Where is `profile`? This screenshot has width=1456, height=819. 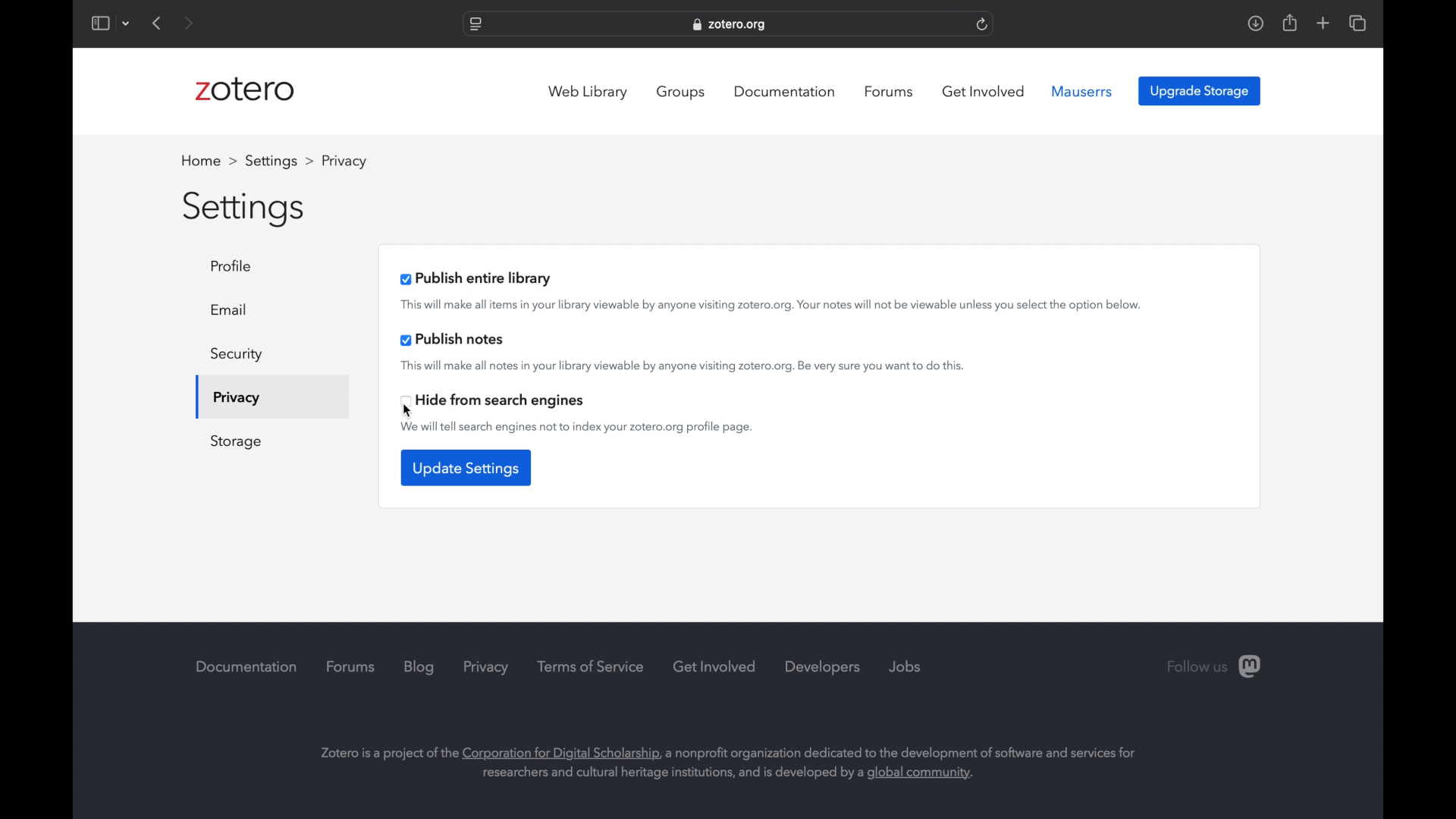
profile is located at coordinates (342, 161).